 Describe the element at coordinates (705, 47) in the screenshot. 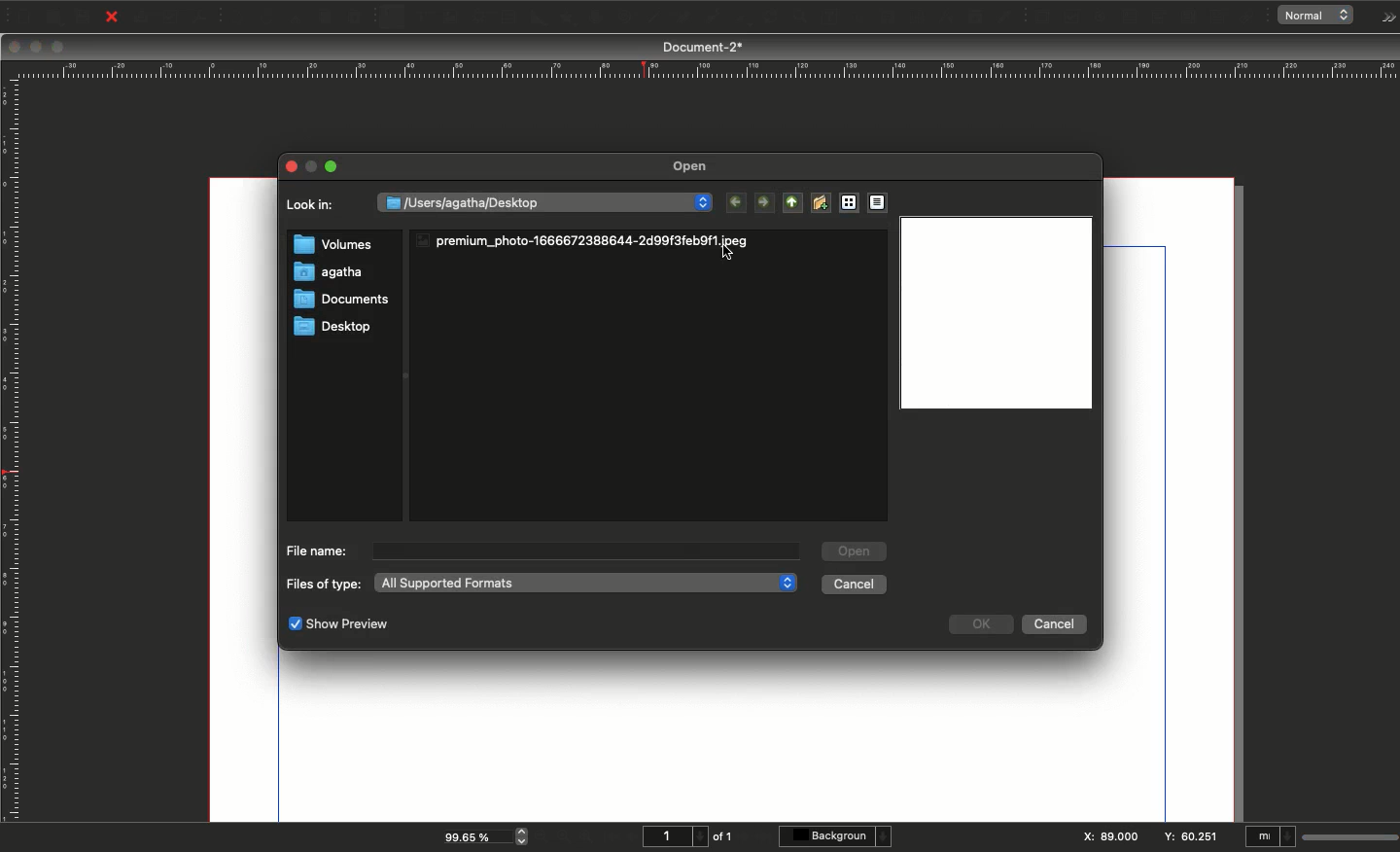

I see `Document-2*` at that location.